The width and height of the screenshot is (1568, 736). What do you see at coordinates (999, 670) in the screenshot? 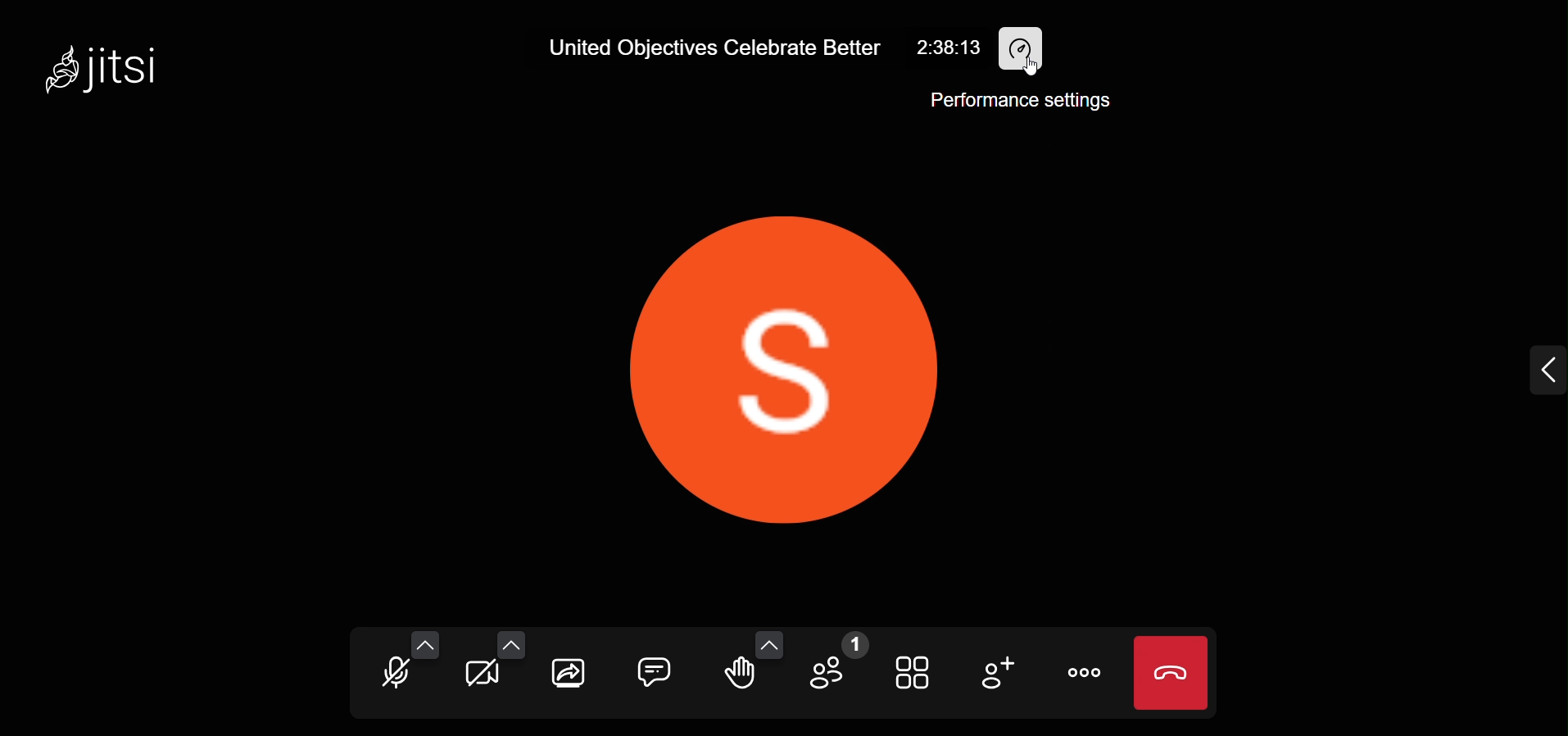
I see `invite people` at bounding box center [999, 670].